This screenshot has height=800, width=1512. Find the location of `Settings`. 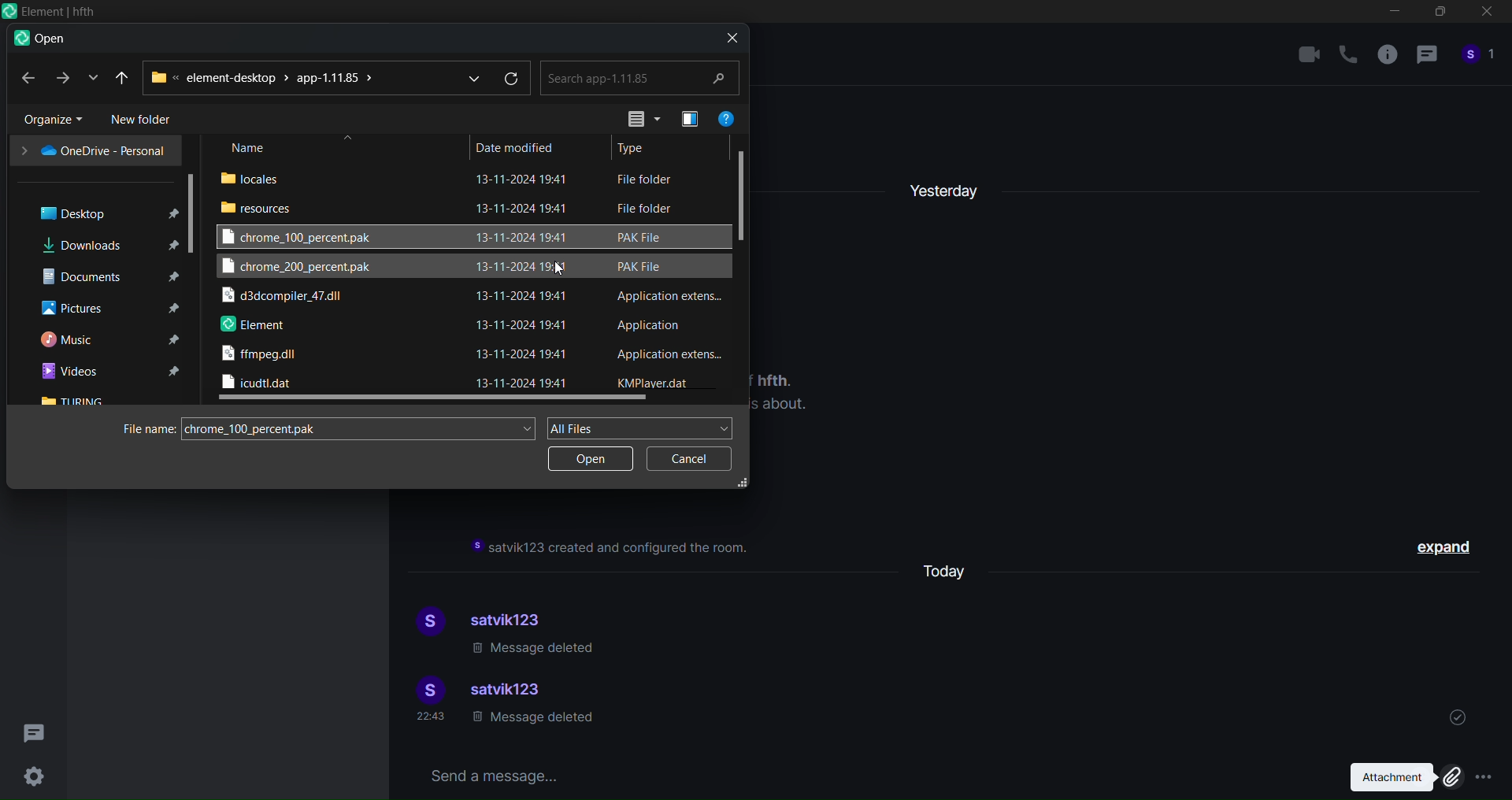

Settings is located at coordinates (33, 776).